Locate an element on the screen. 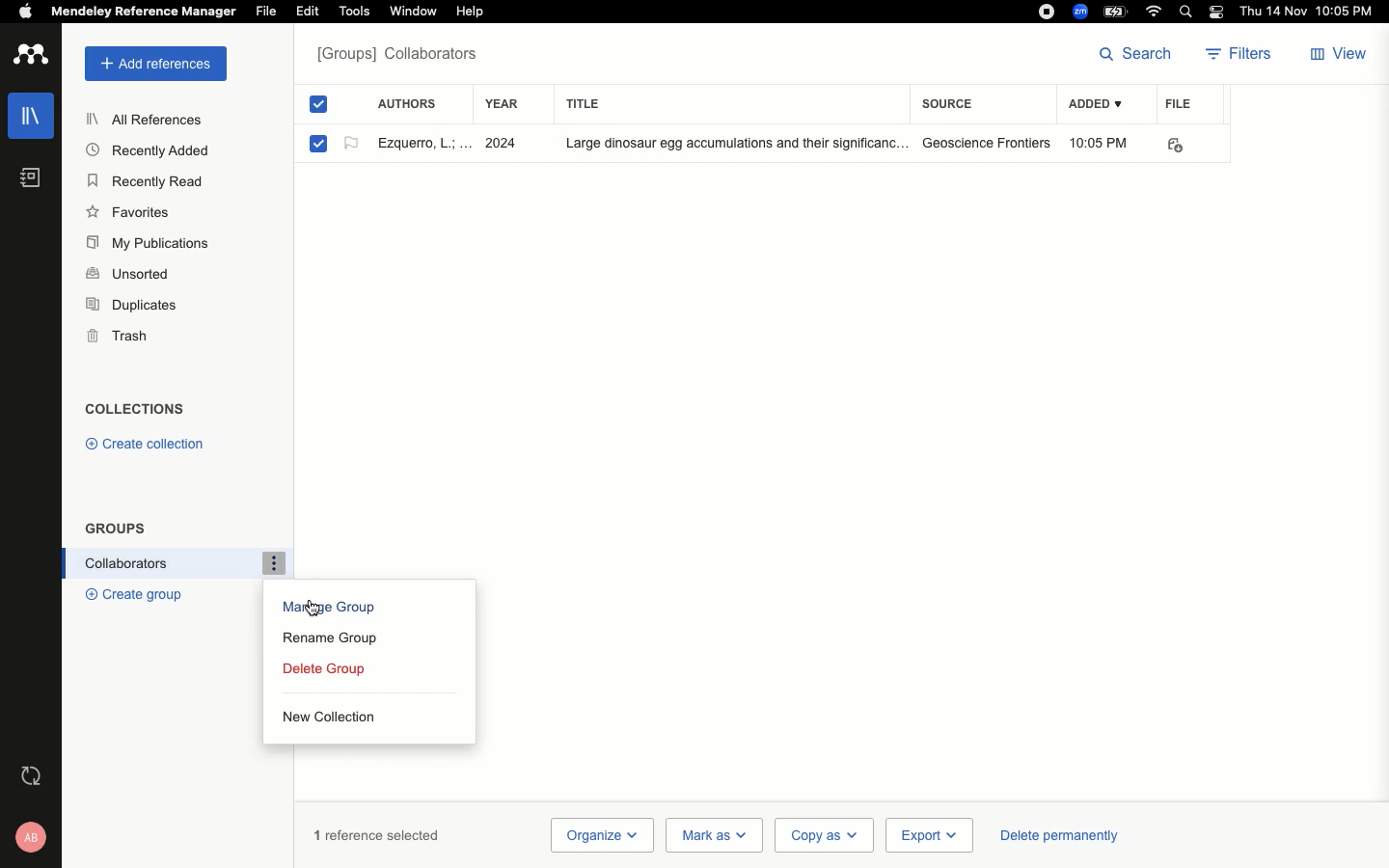 Image resolution: width=1389 pixels, height=868 pixels. Filters is located at coordinates (1244, 55).